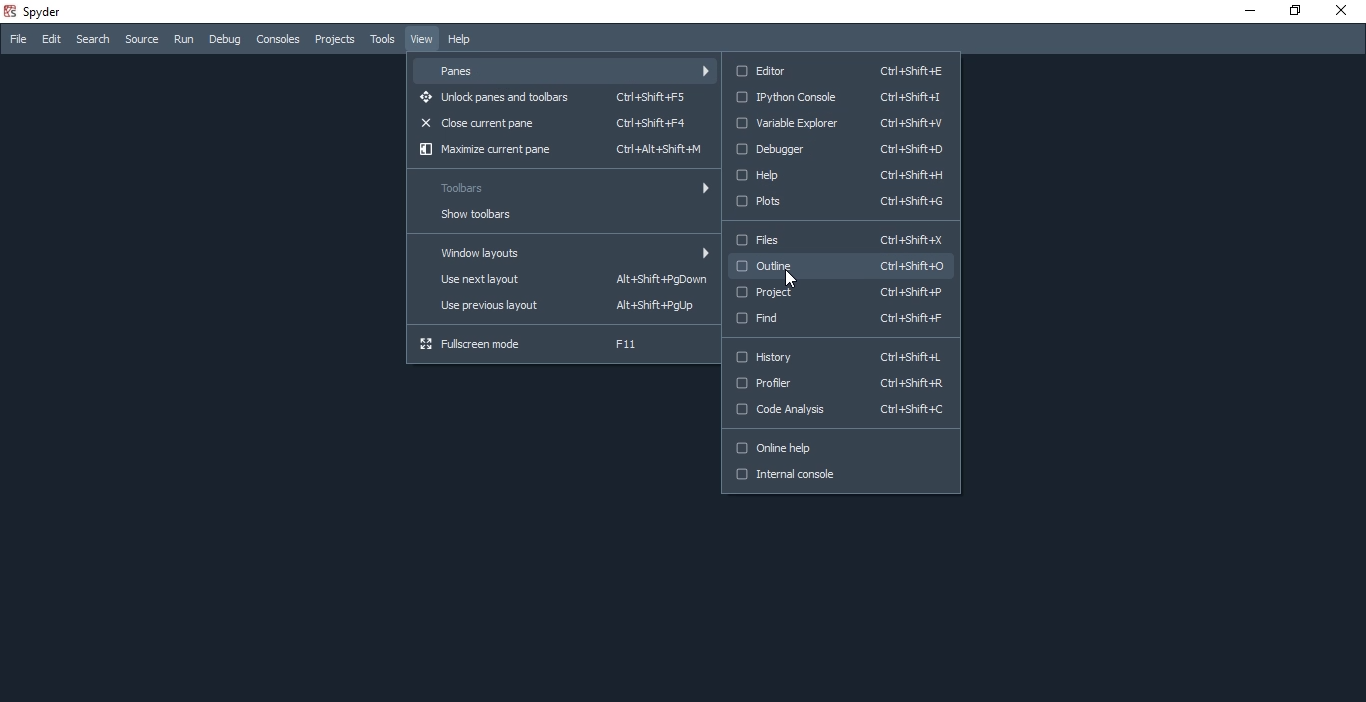 The width and height of the screenshot is (1366, 702). Describe the element at coordinates (419, 39) in the screenshot. I see `View` at that location.